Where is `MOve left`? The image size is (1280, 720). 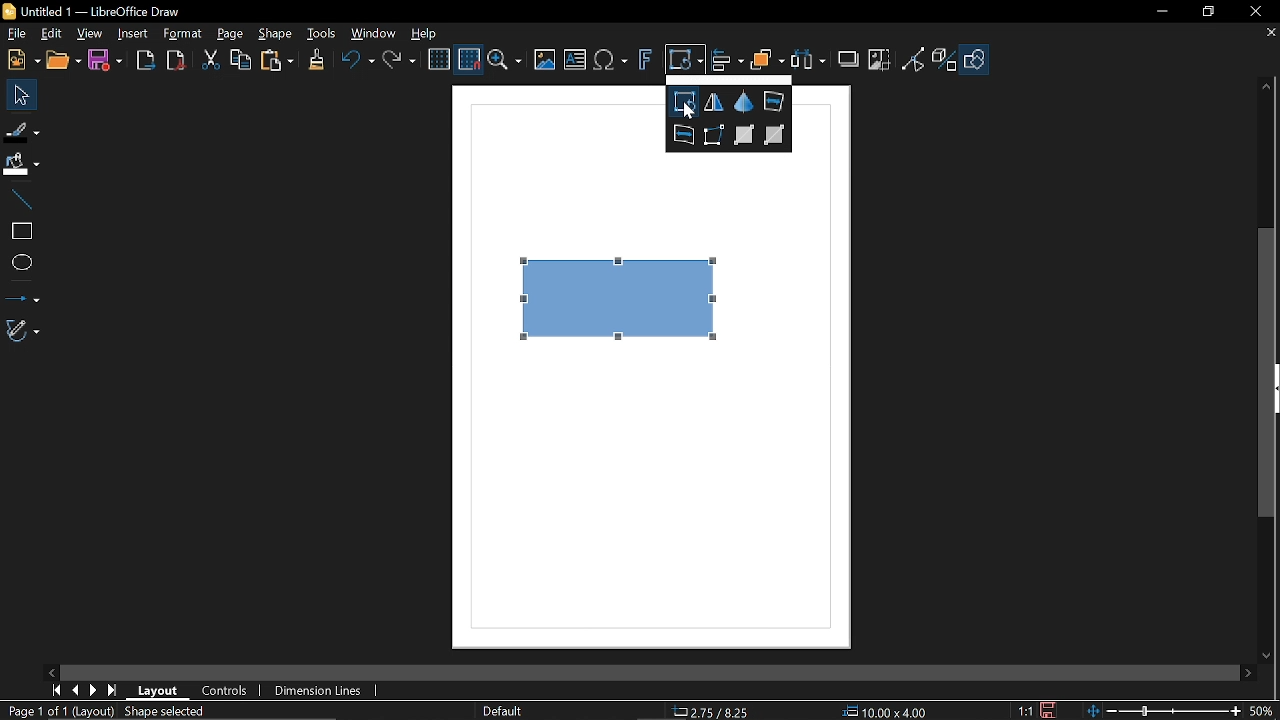 MOve left is located at coordinates (52, 671).